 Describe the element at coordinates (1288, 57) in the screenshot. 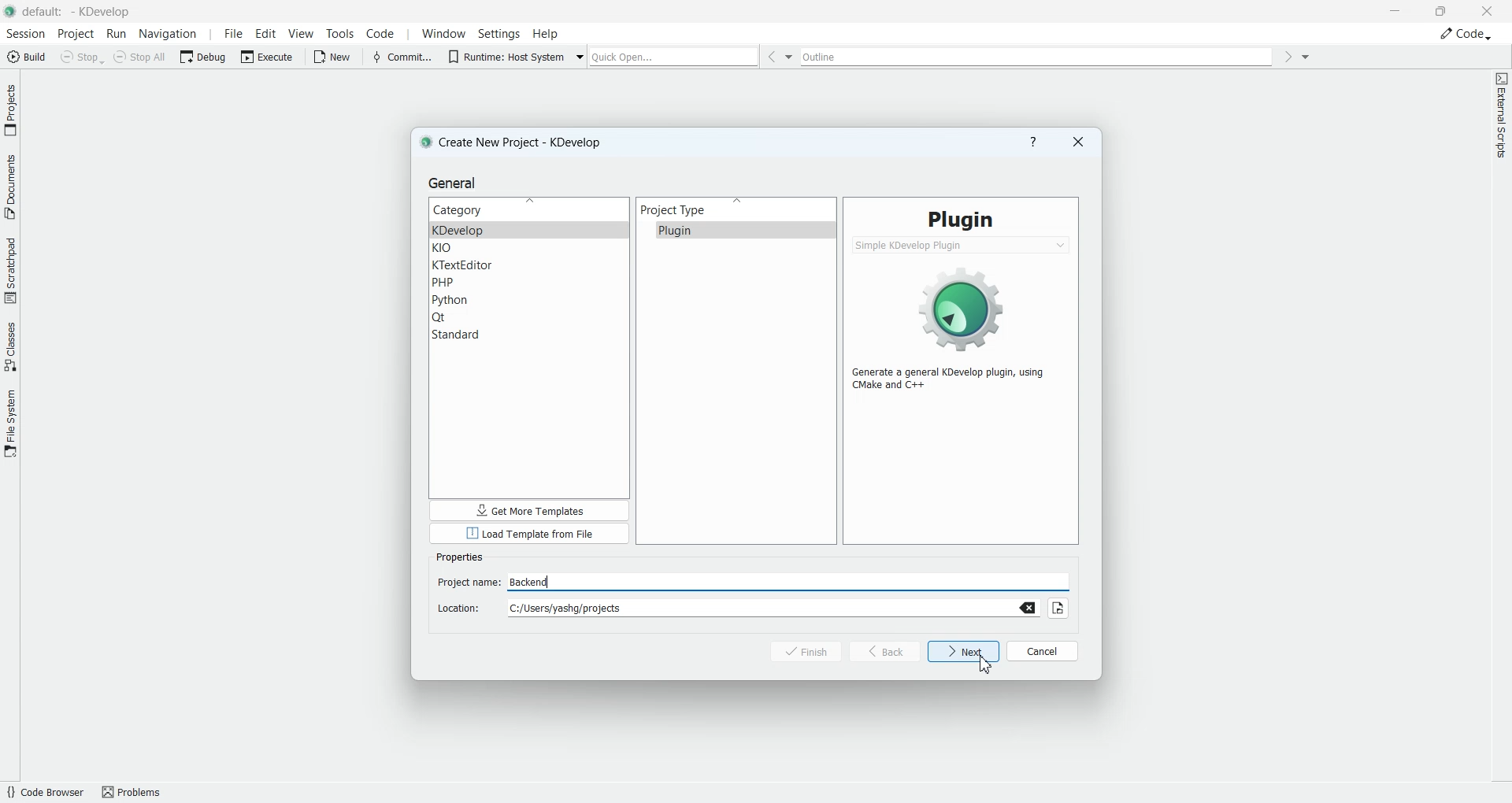

I see `Go forward` at that location.